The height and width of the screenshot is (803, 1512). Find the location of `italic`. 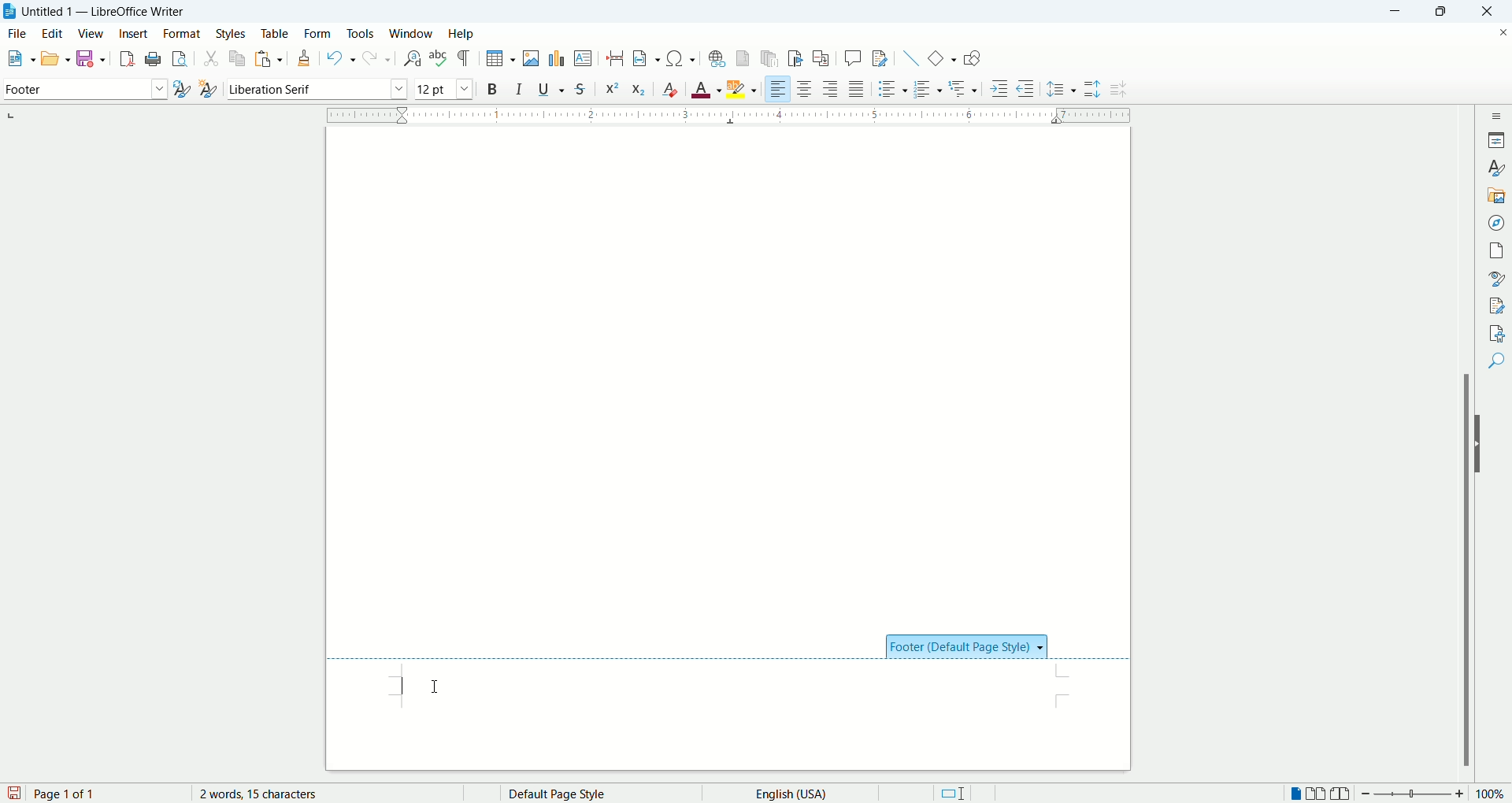

italic is located at coordinates (520, 88).